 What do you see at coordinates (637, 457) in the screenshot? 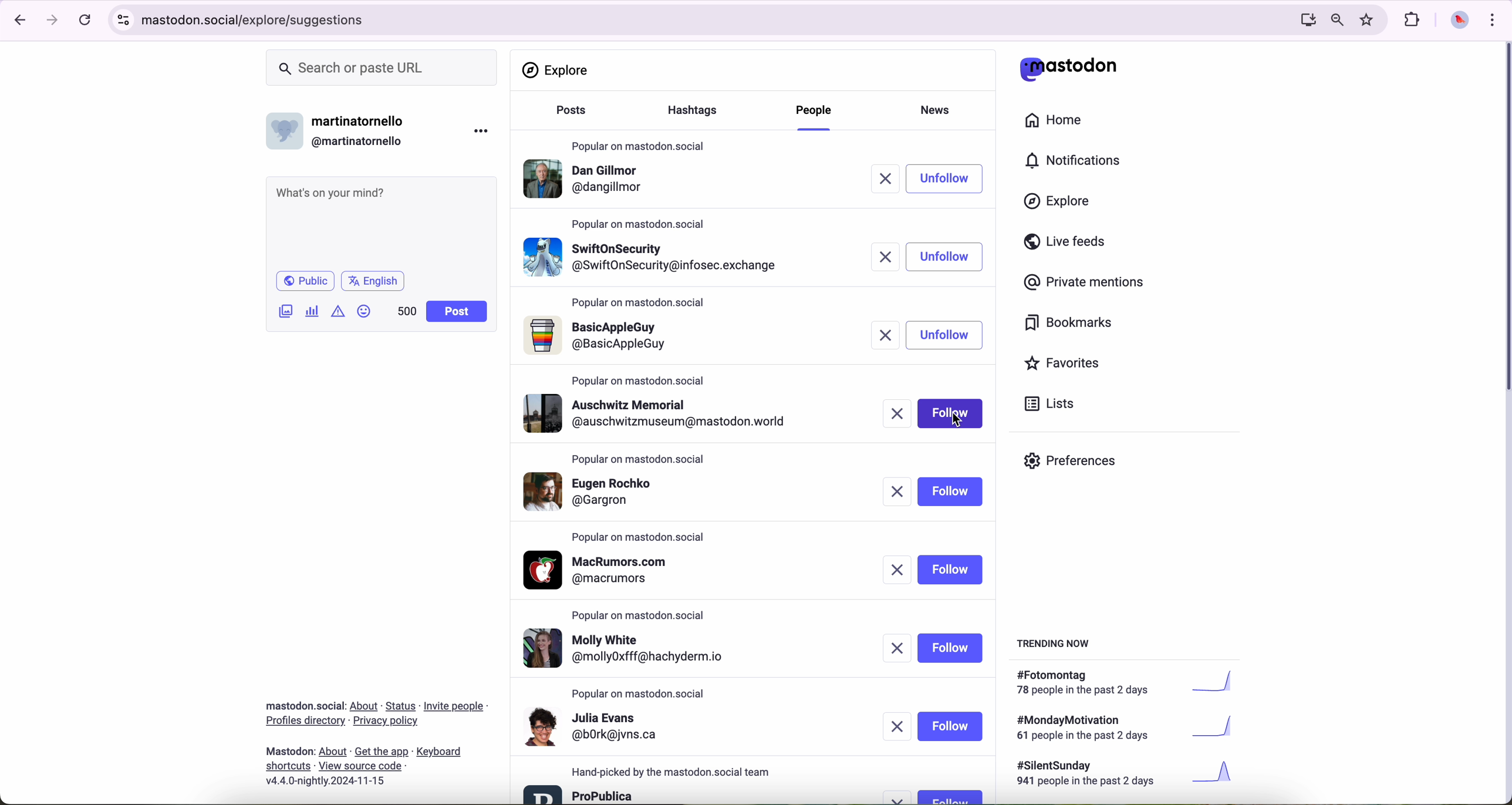
I see `popular on mastodon.social` at bounding box center [637, 457].